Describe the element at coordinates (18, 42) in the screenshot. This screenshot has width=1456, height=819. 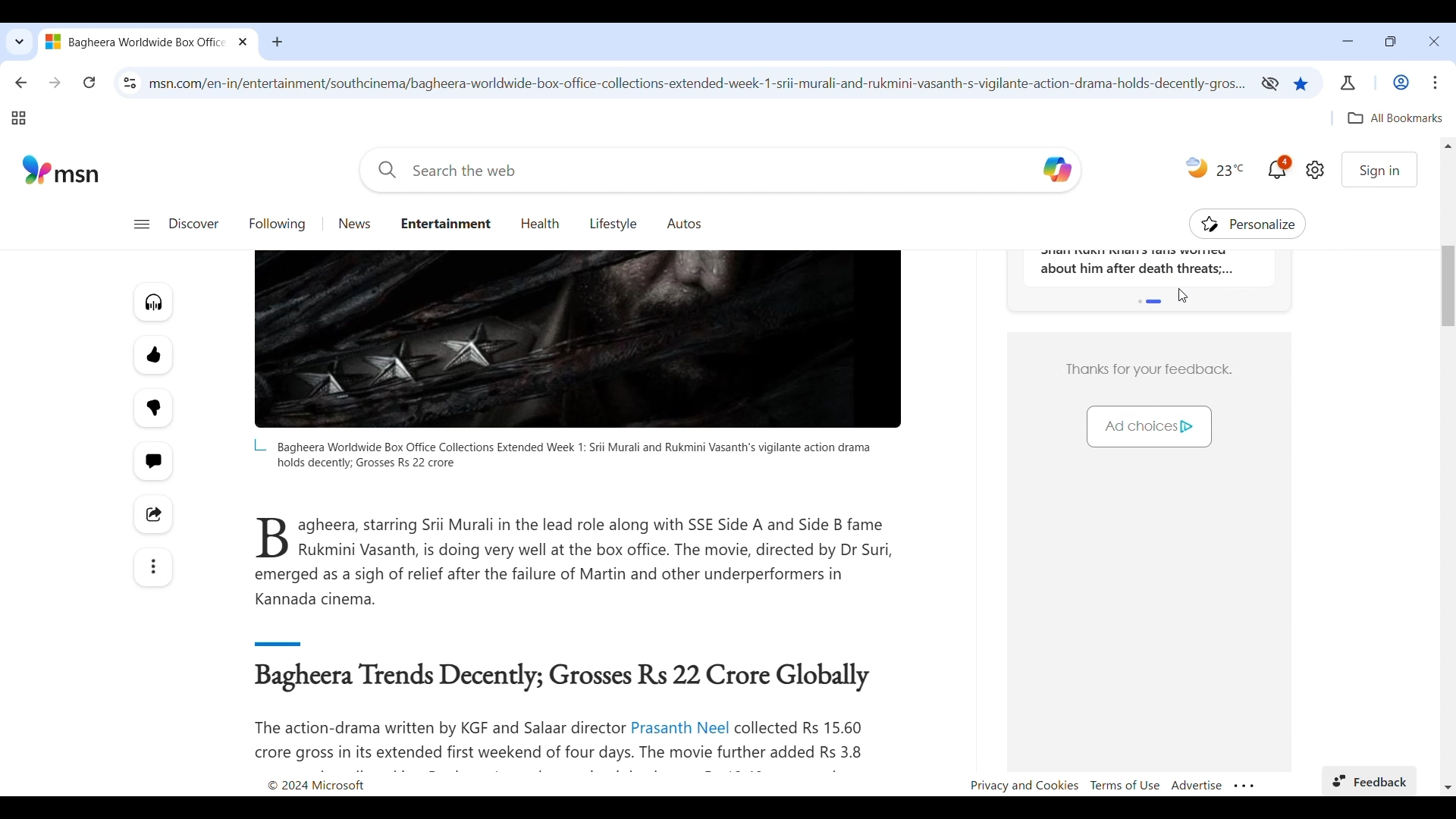
I see `Search tabs` at that location.